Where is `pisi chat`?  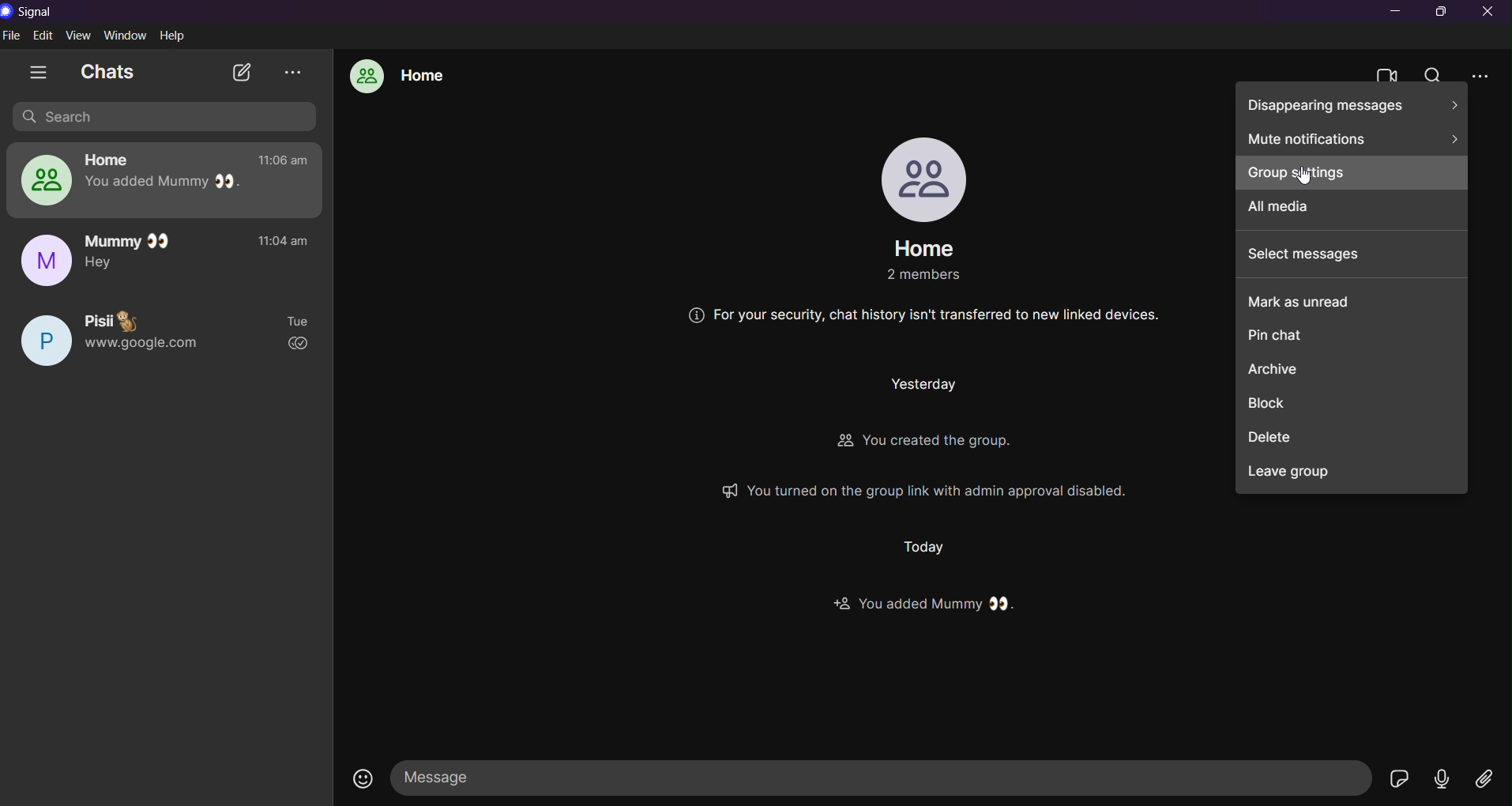
pisi chat is located at coordinates (168, 332).